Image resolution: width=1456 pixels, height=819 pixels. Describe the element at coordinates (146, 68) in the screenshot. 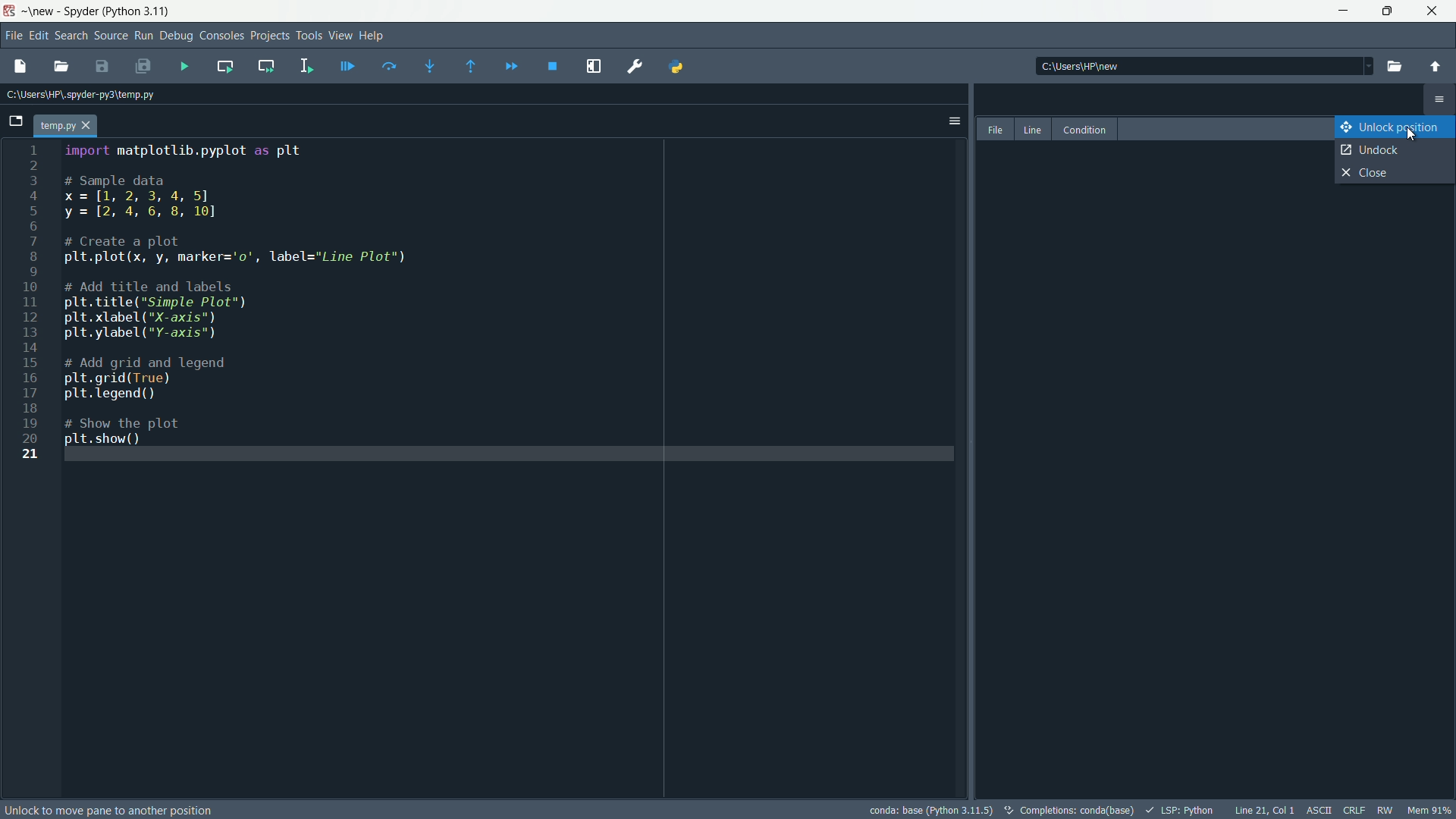

I see `save all files` at that location.